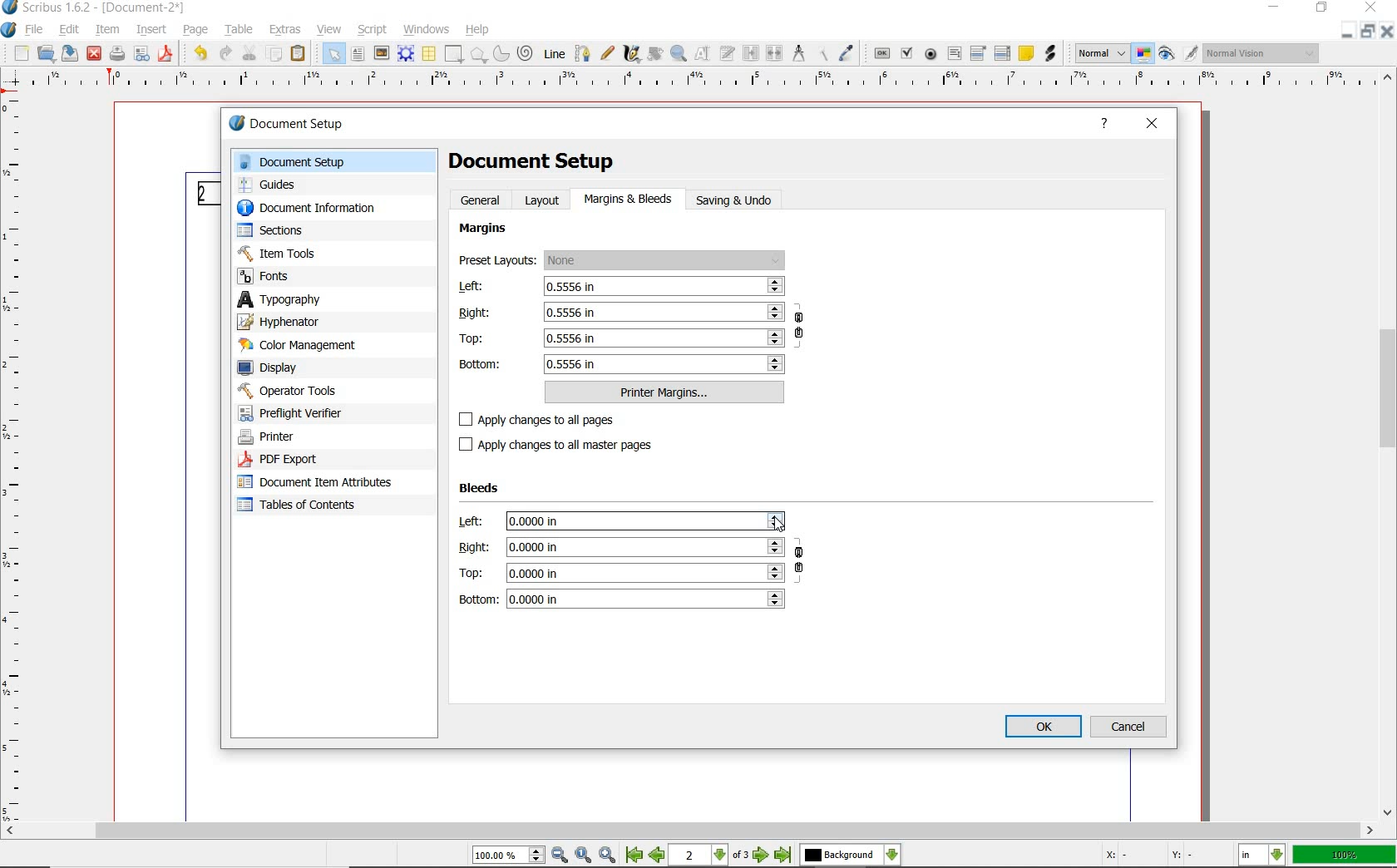 The image size is (1397, 868). I want to click on calligraphic line, so click(633, 54).